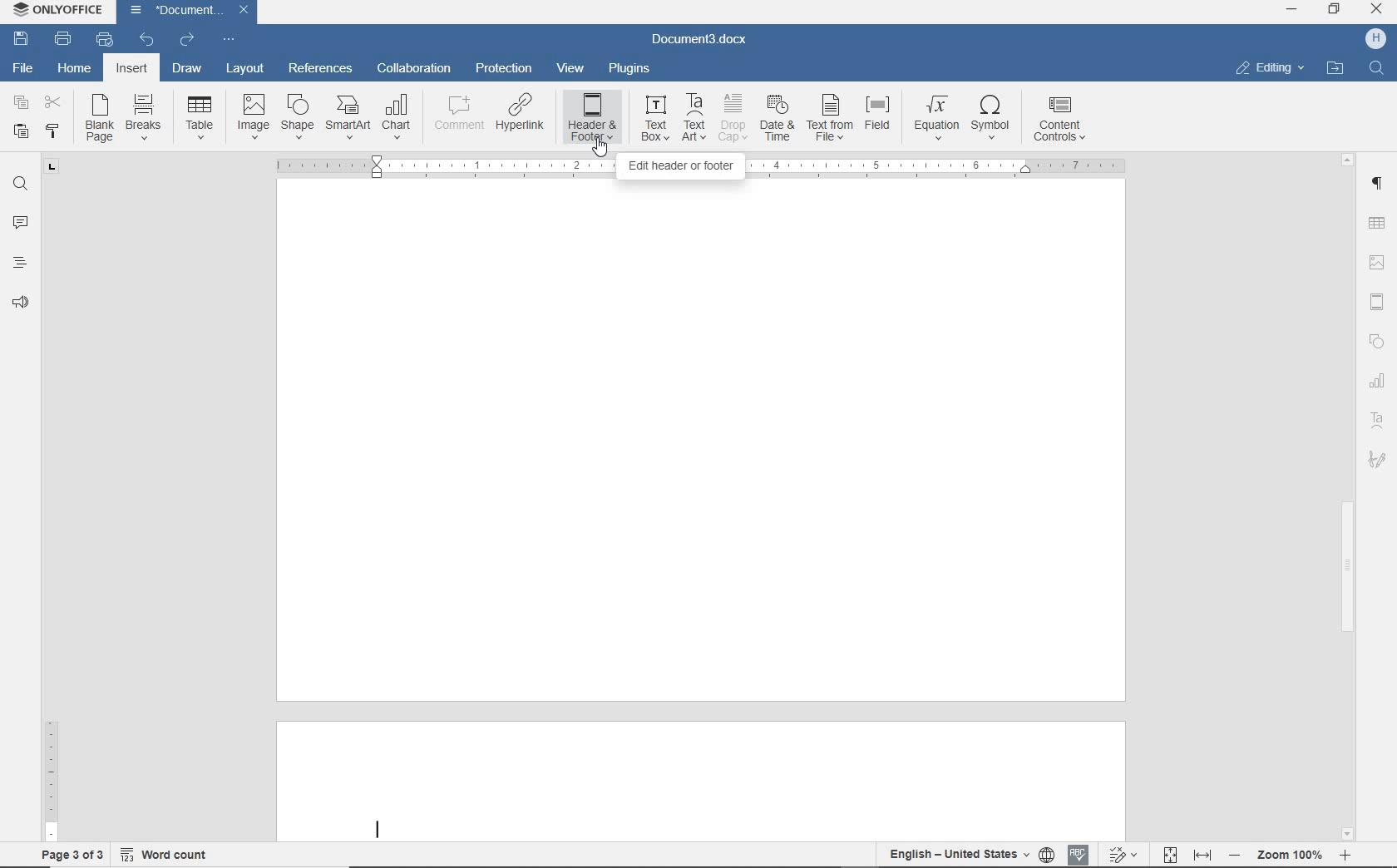 This screenshot has height=868, width=1397. Describe the element at coordinates (630, 69) in the screenshot. I see `PLUGINS` at that location.